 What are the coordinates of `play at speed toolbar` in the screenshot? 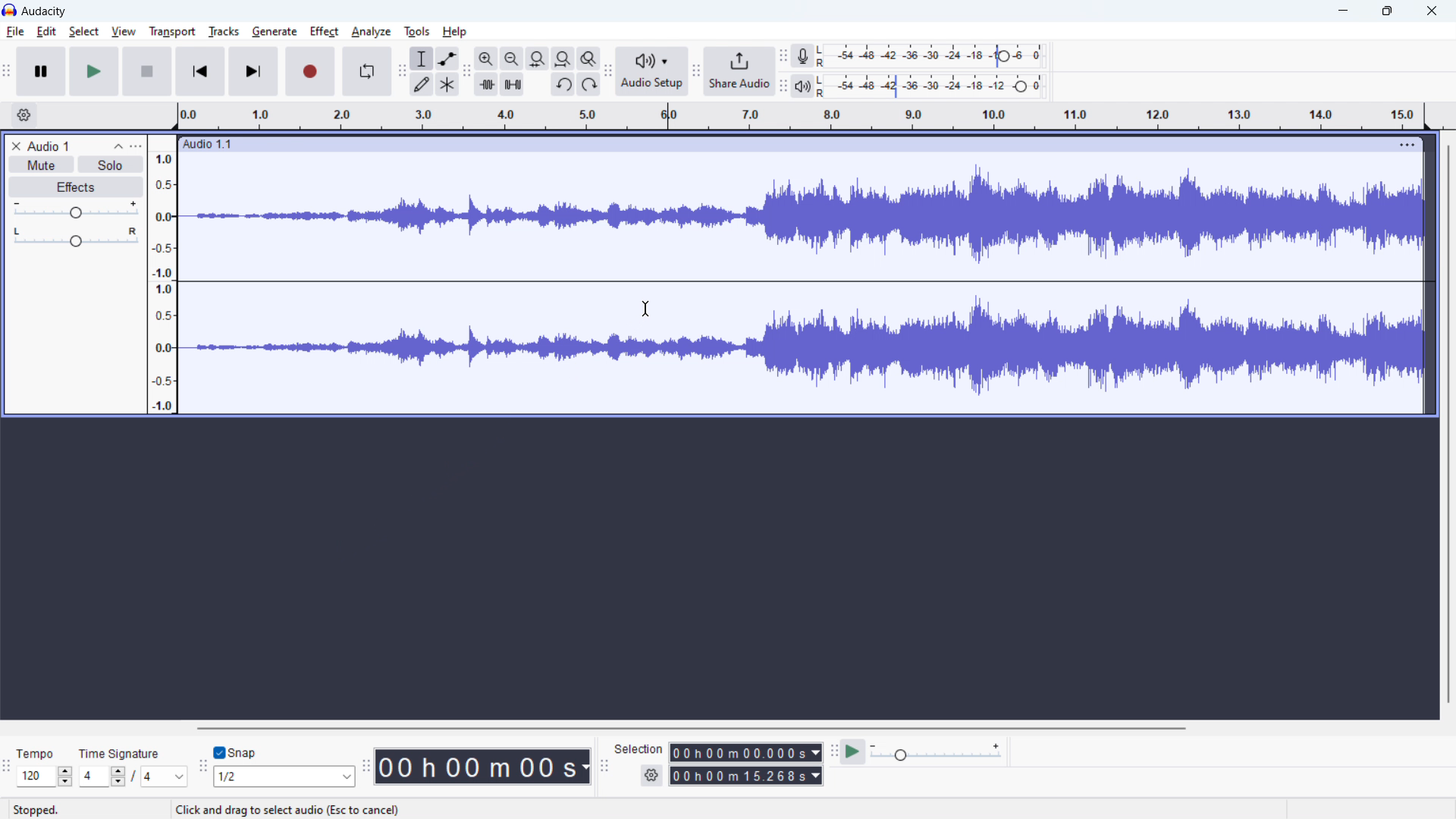 It's located at (833, 752).